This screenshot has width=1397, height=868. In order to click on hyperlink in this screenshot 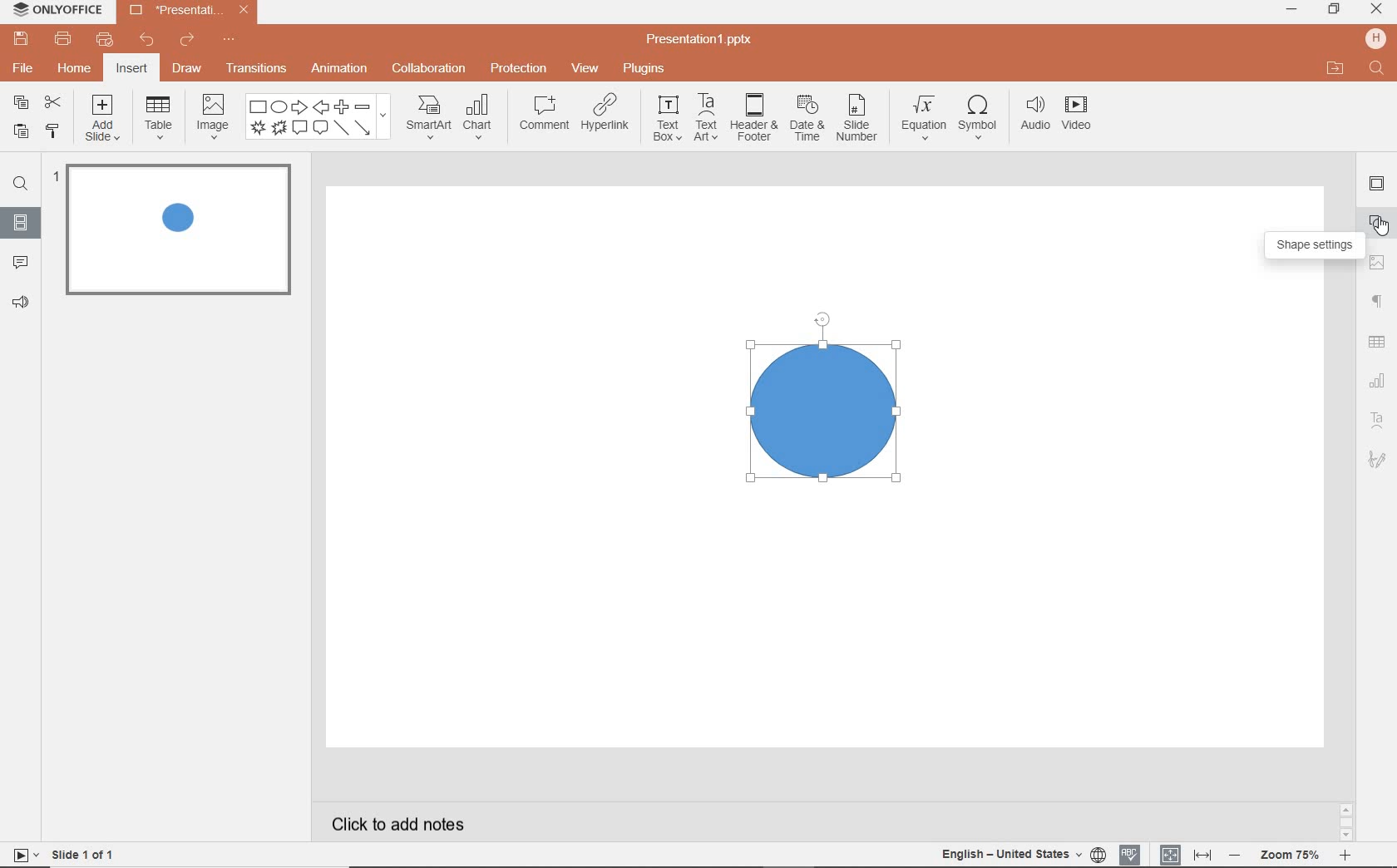, I will do `click(607, 116)`.